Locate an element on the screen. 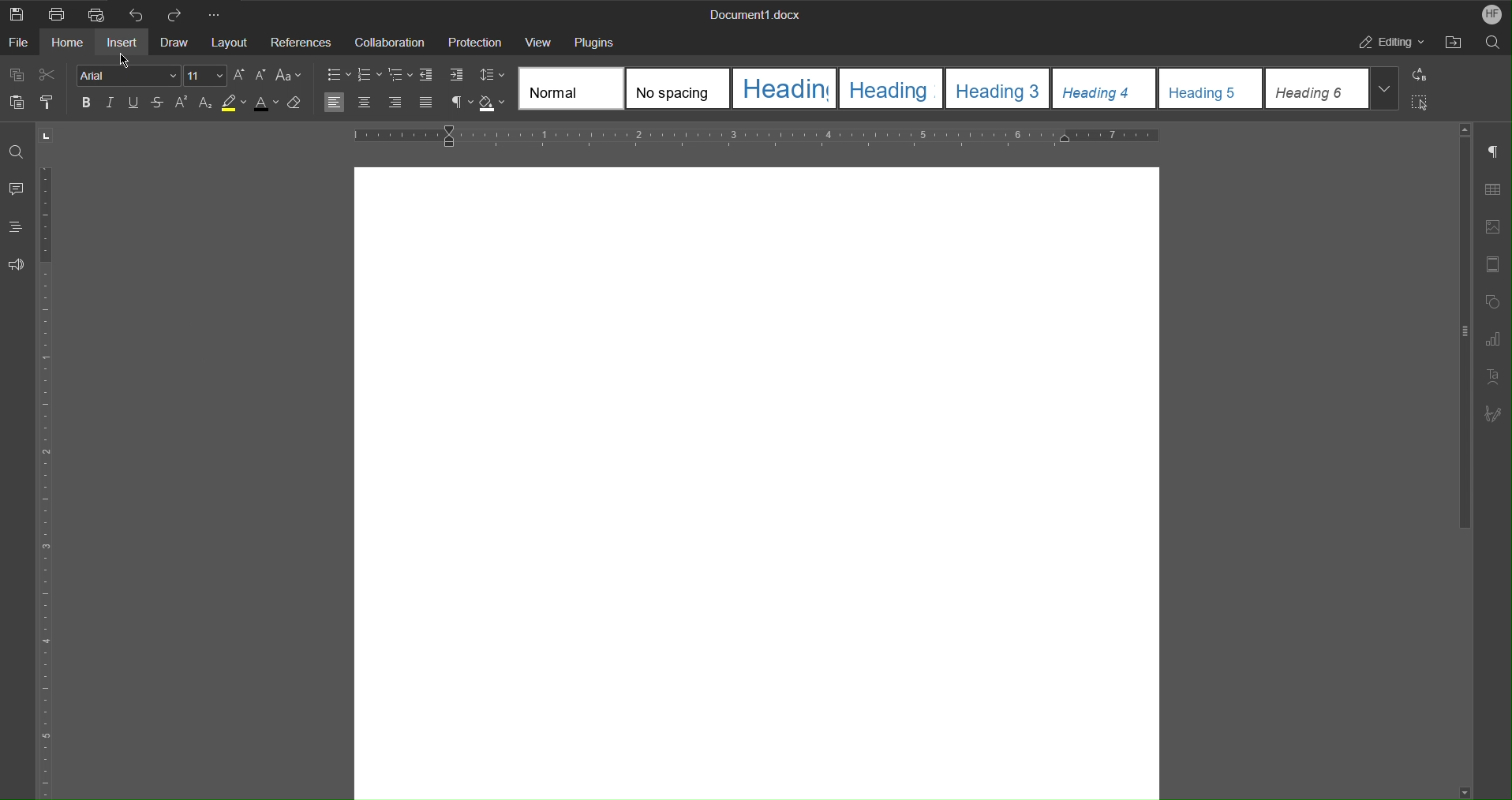  Plugins is located at coordinates (596, 40).